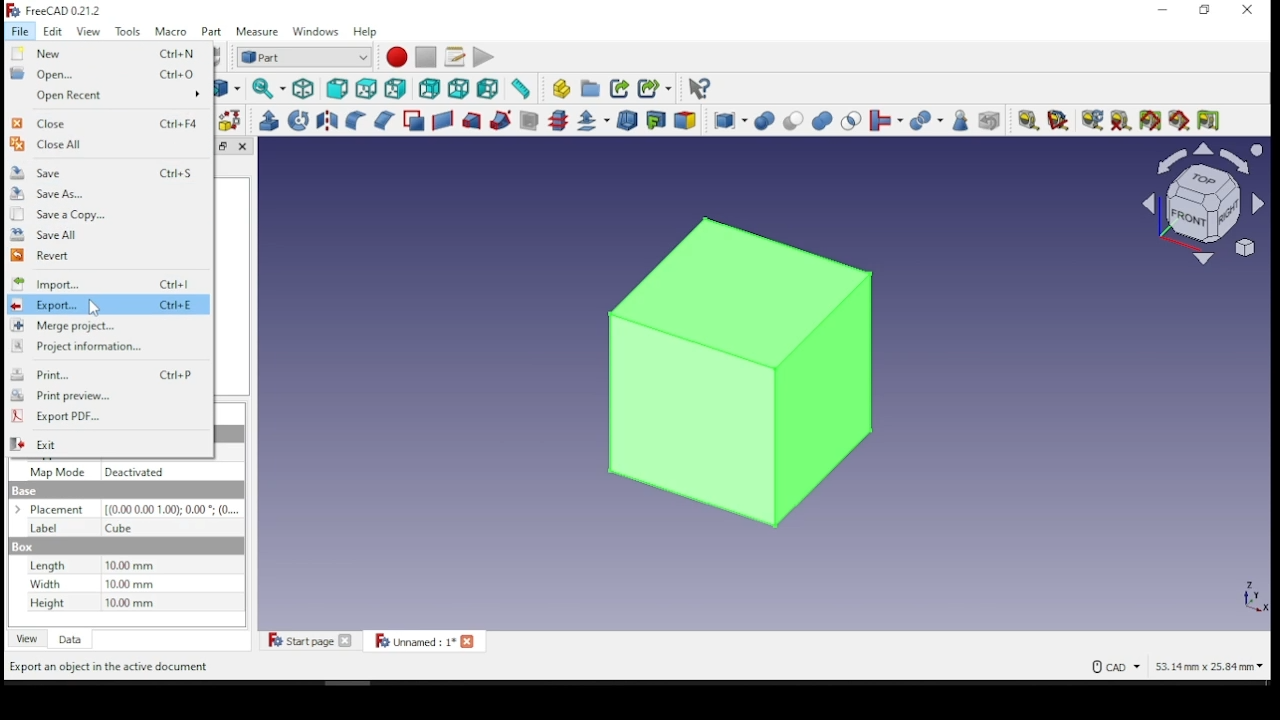 This screenshot has height=720, width=1280. What do you see at coordinates (113, 214) in the screenshot?
I see `save a copy` at bounding box center [113, 214].